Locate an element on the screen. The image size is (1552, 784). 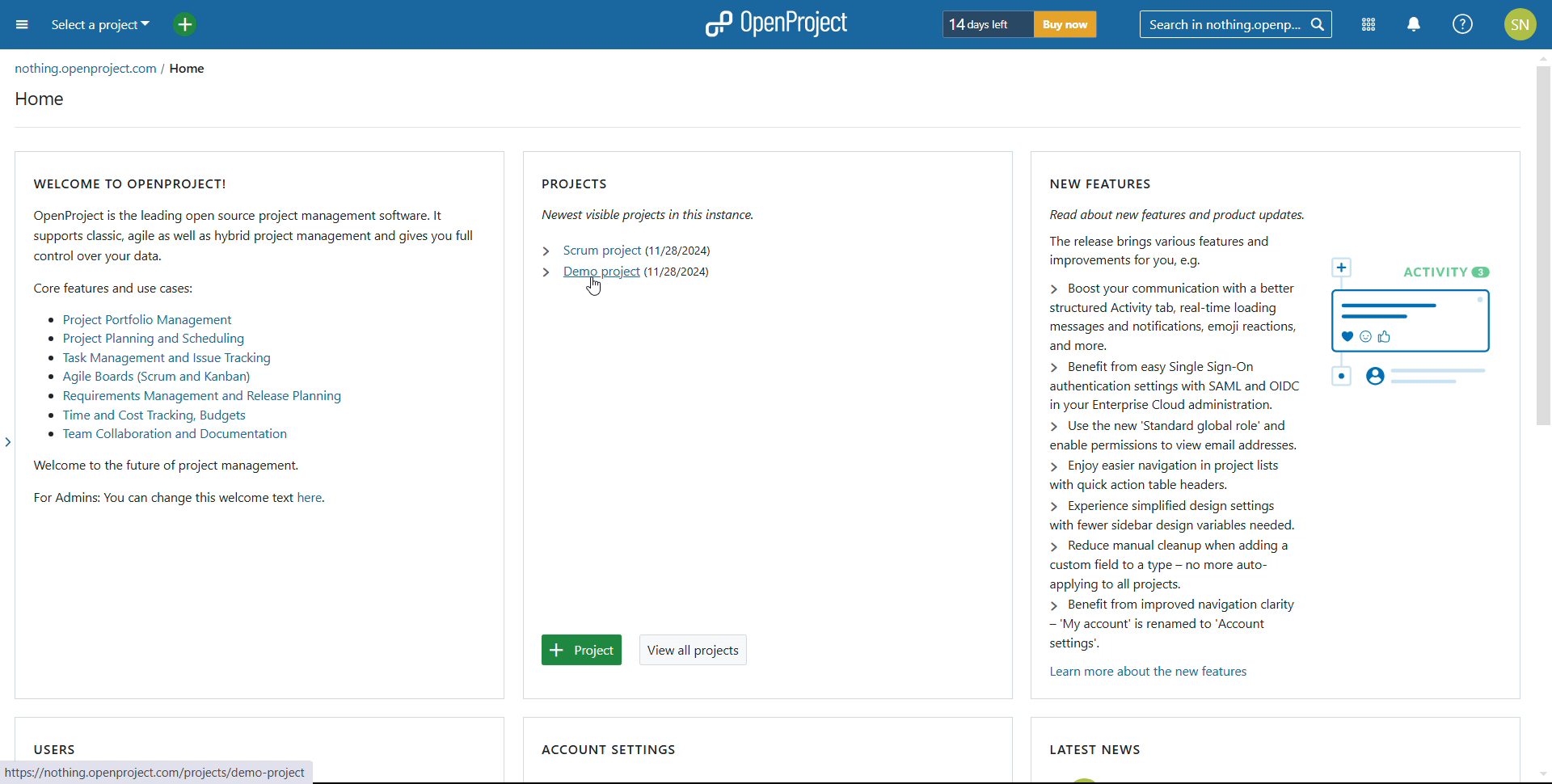
home is located at coordinates (200, 68).